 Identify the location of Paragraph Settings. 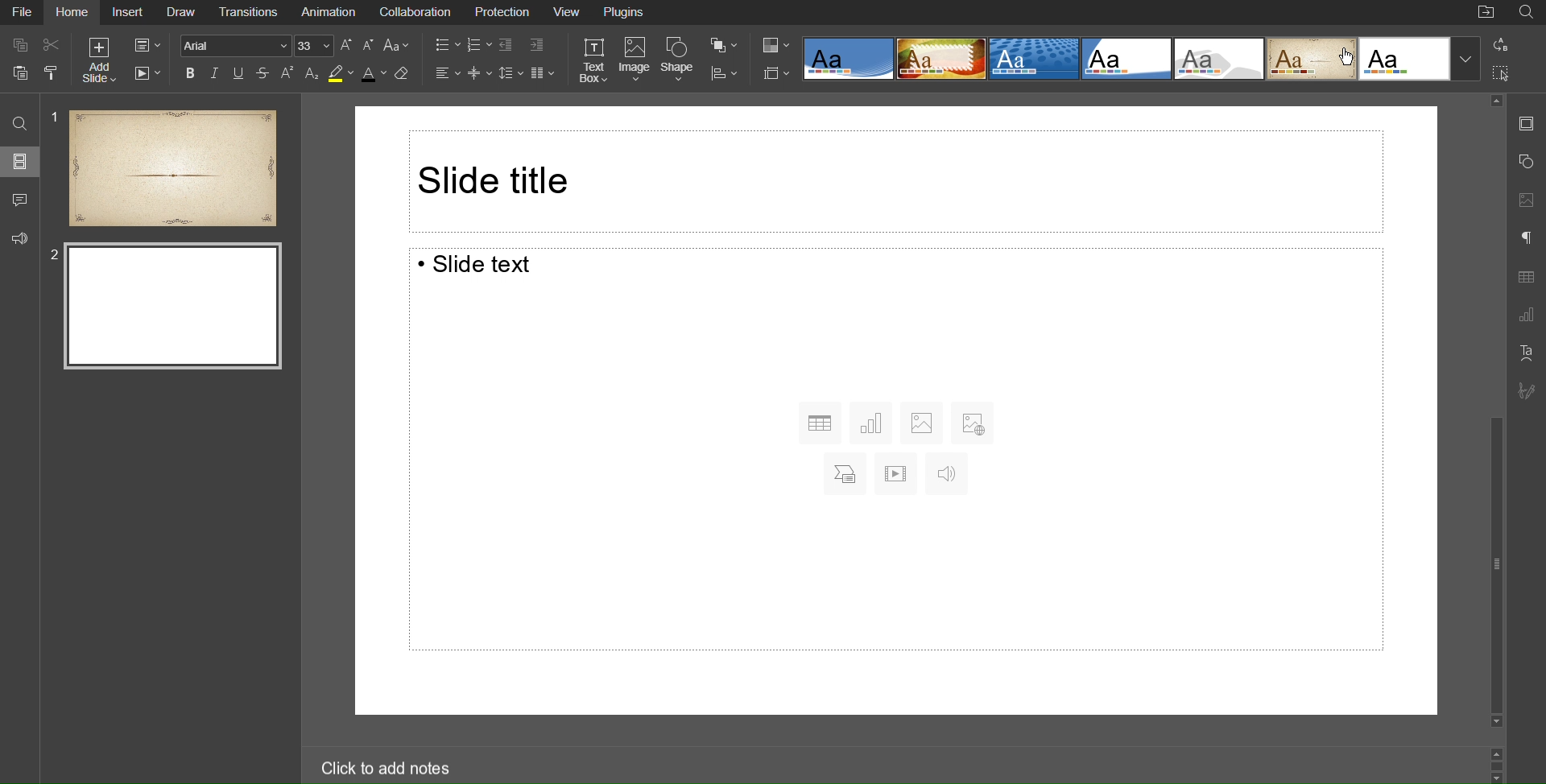
(1527, 240).